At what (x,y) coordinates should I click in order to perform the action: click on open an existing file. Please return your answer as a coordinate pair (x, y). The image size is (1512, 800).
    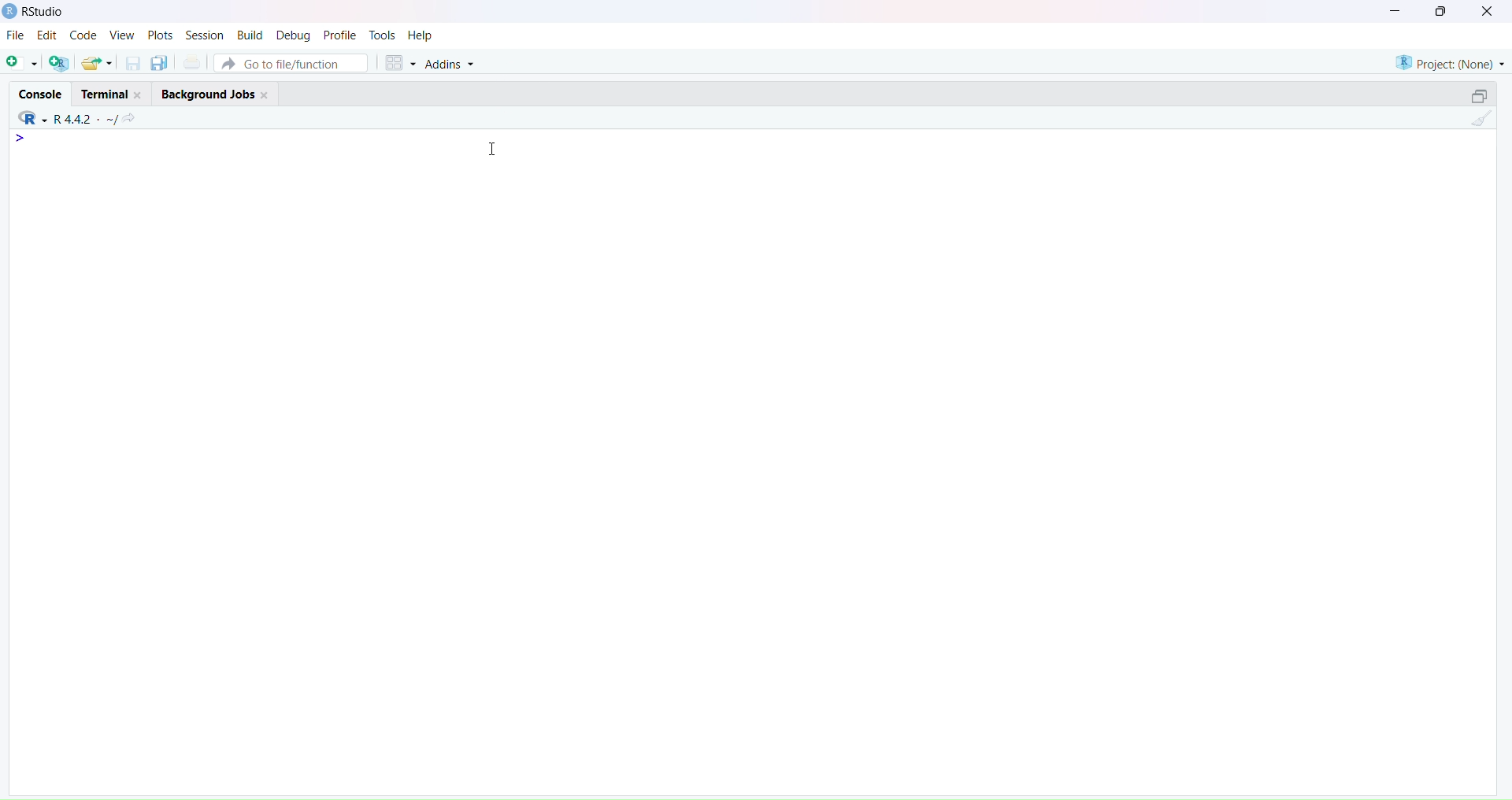
    Looking at the image, I should click on (98, 63).